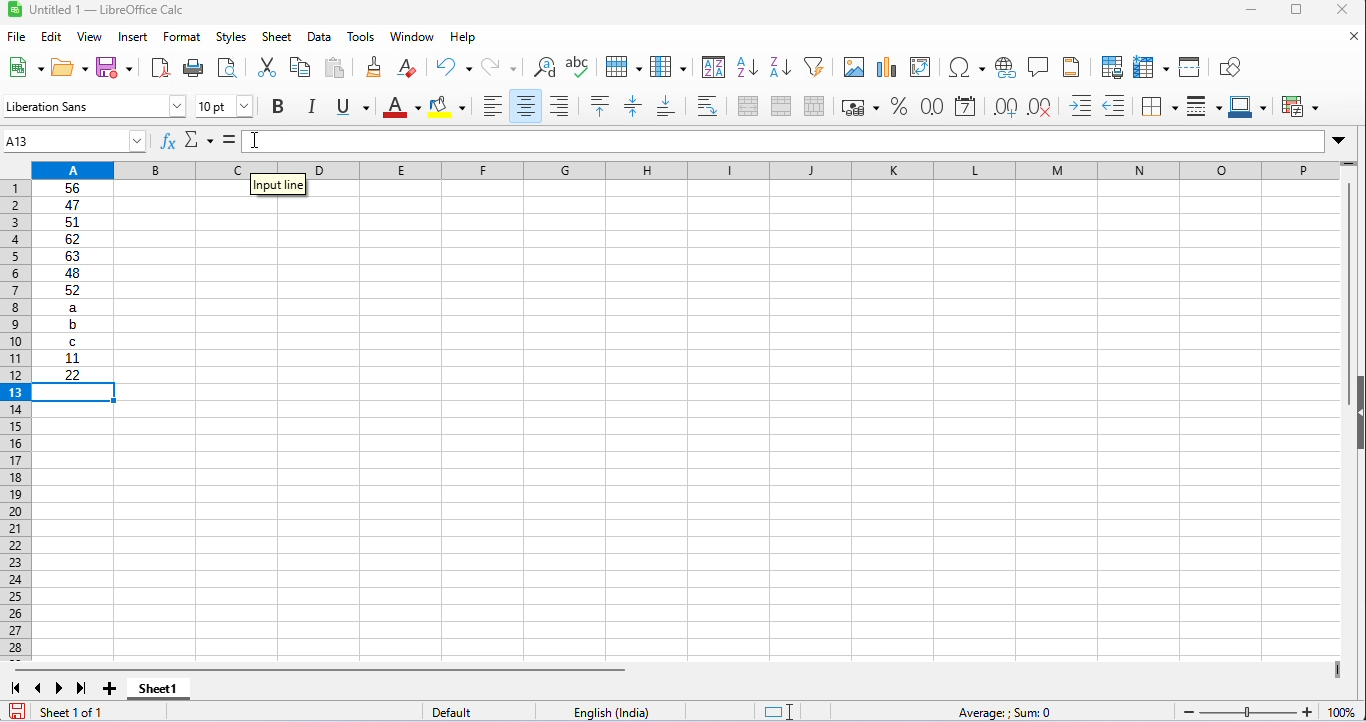 The width and height of the screenshot is (1366, 722). Describe the element at coordinates (1204, 106) in the screenshot. I see `border style` at that location.